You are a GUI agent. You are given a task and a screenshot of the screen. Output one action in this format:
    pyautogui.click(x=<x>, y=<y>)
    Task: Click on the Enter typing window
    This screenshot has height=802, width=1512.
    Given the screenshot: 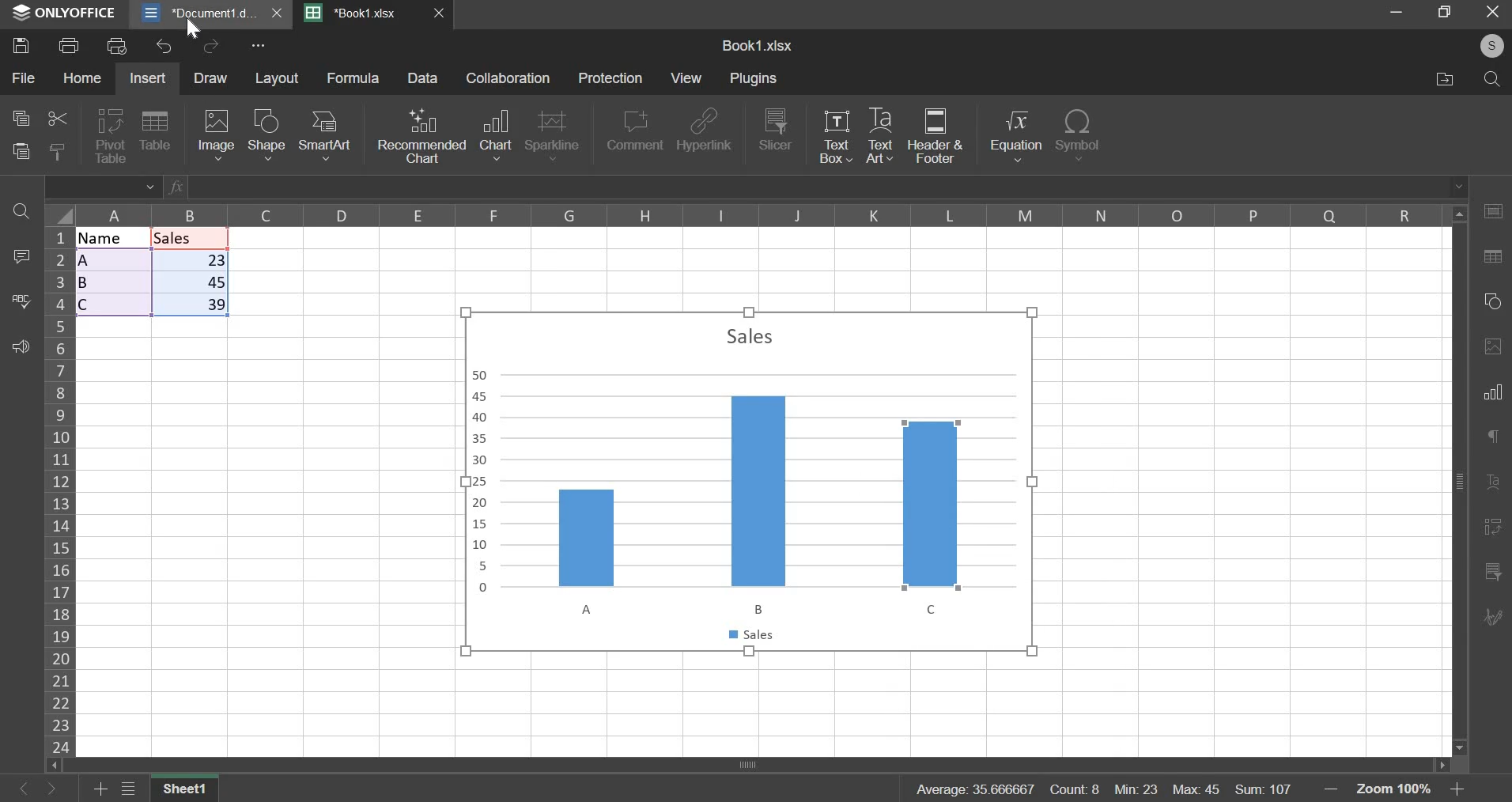 What is the action you would take?
    pyautogui.click(x=833, y=187)
    